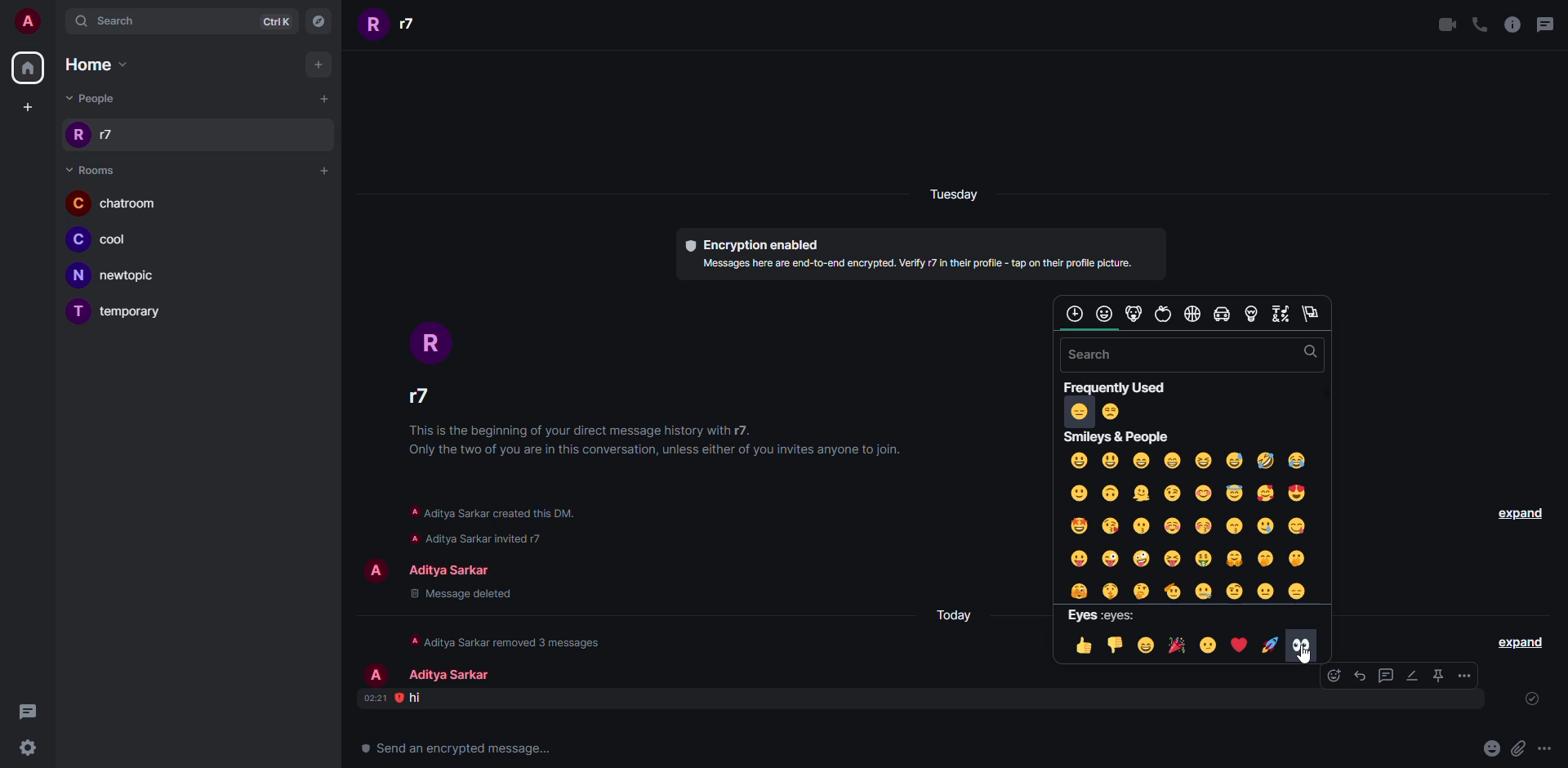 The width and height of the screenshot is (1568, 768). Describe the element at coordinates (1241, 645) in the screenshot. I see `love` at that location.